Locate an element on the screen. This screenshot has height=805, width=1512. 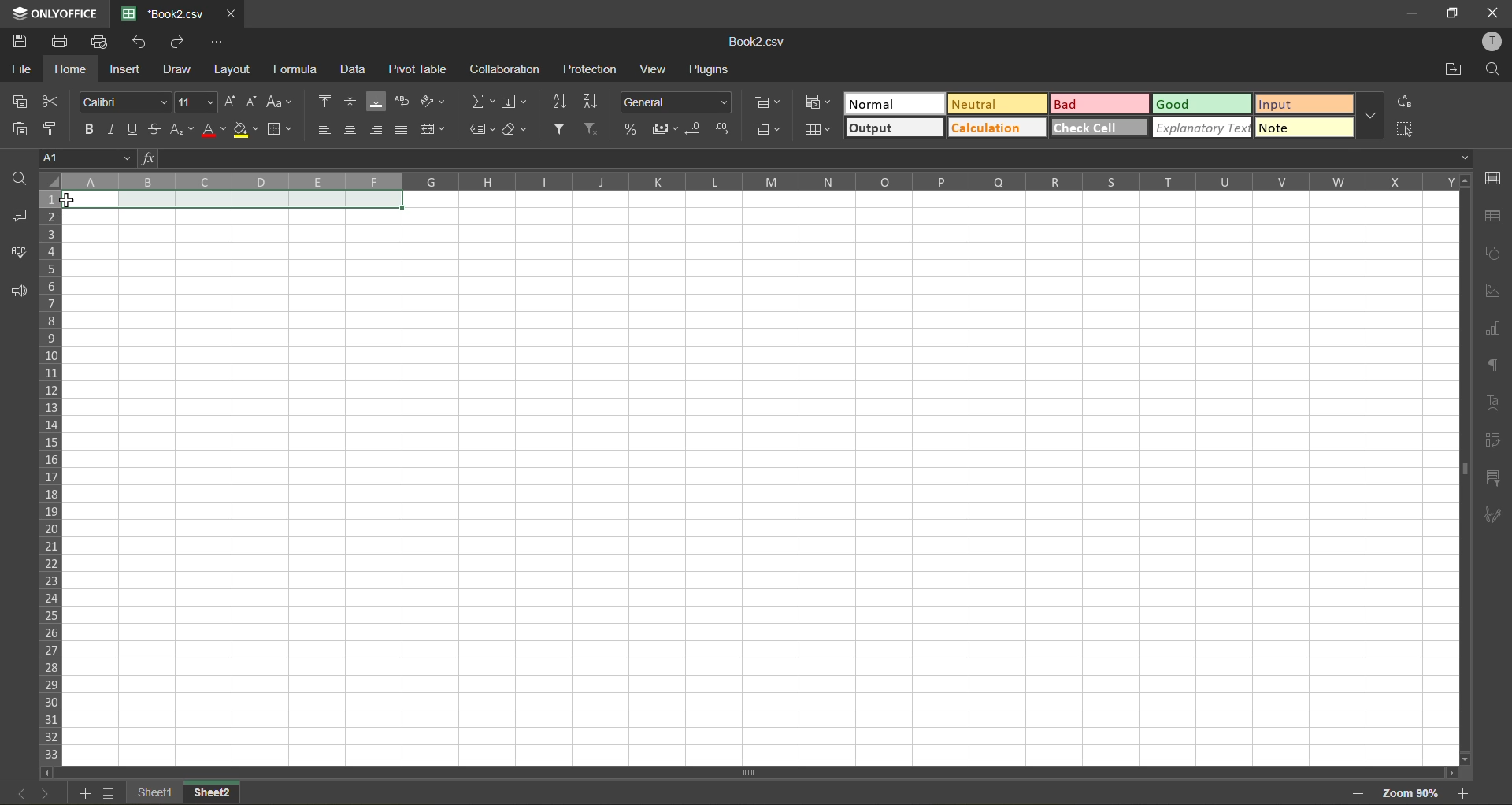
align bottom is located at coordinates (377, 101).